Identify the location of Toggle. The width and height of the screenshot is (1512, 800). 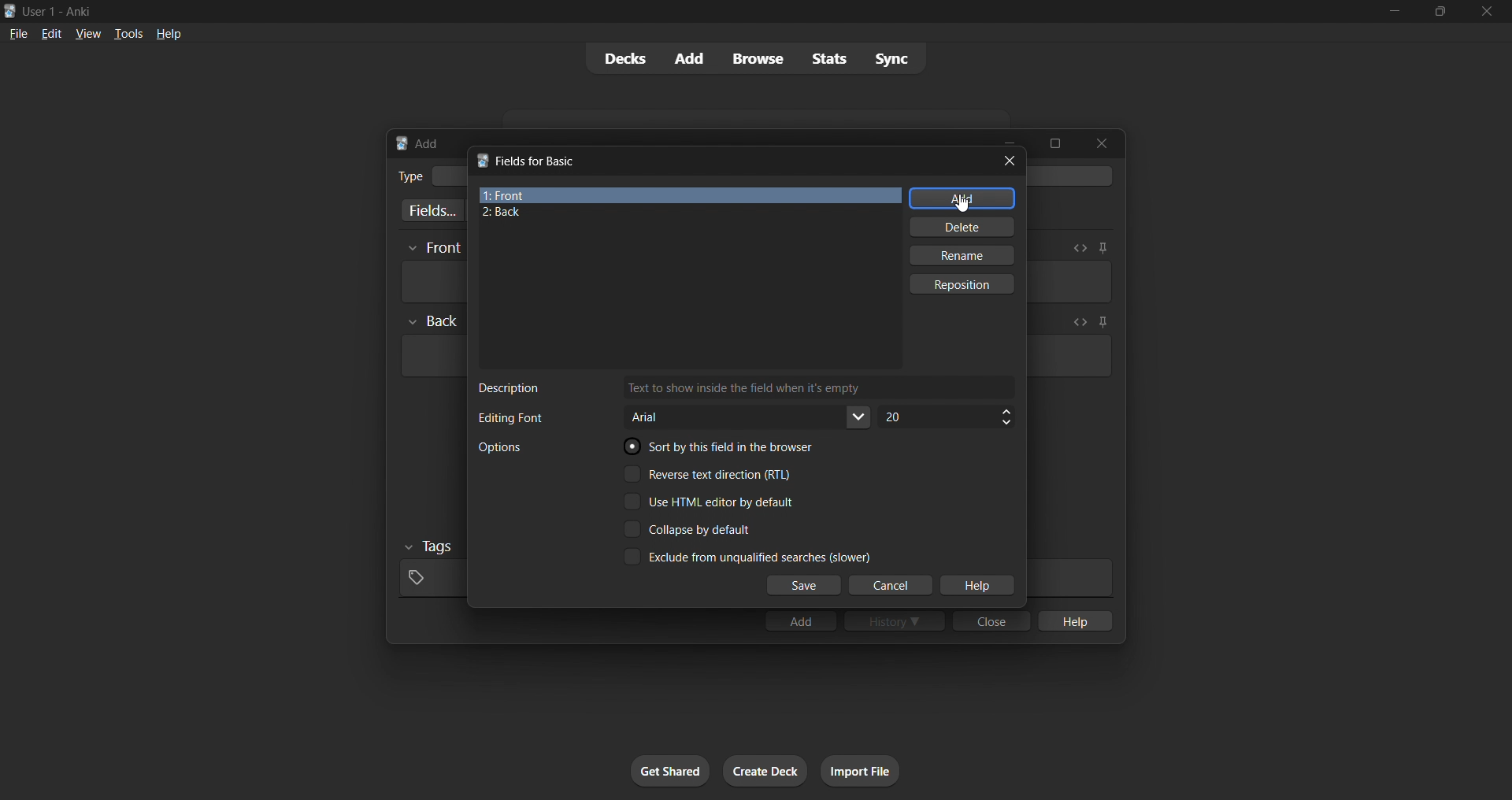
(747, 556).